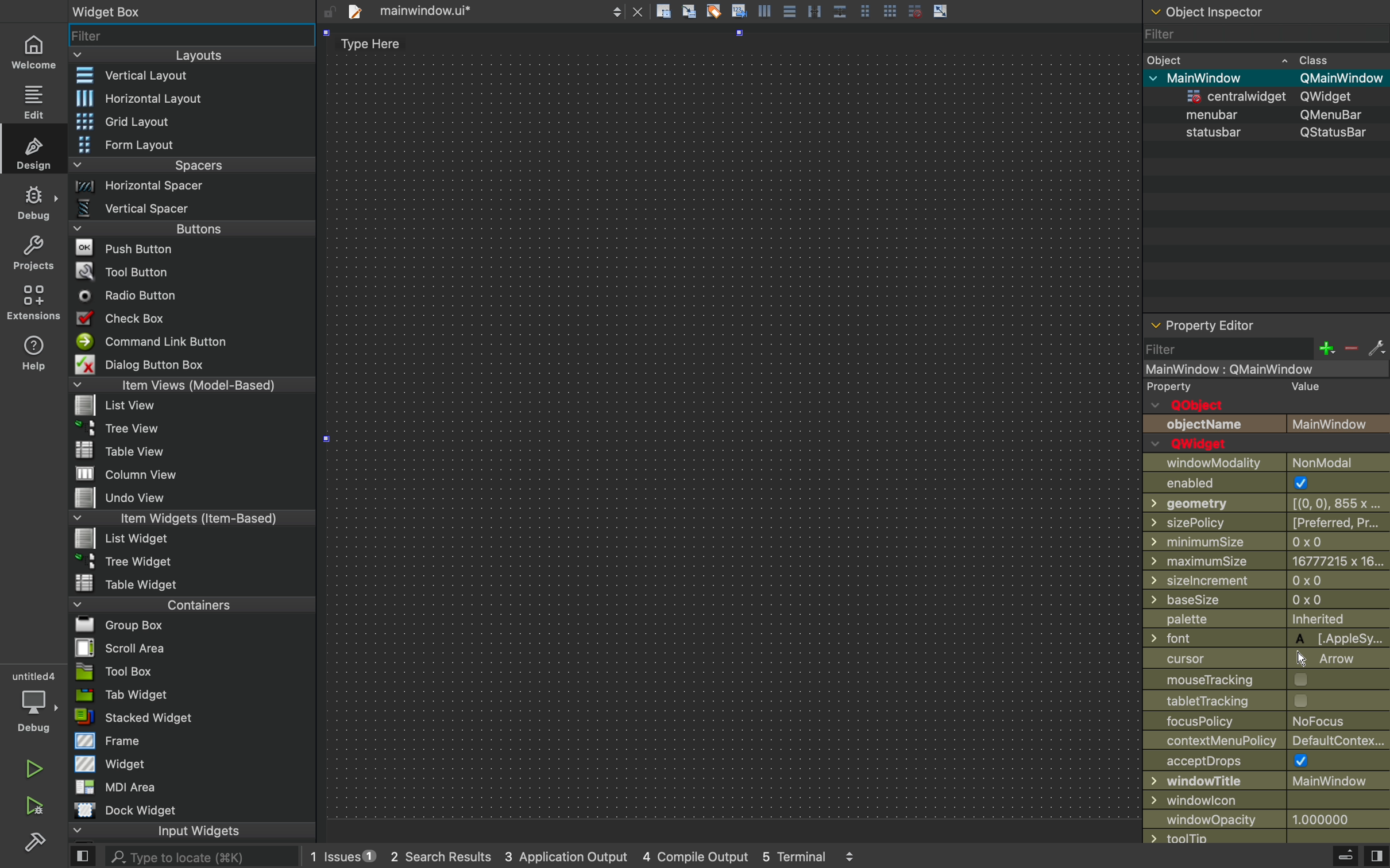 The width and height of the screenshot is (1390, 868). Describe the element at coordinates (191, 76) in the screenshot. I see `vertical layout` at that location.